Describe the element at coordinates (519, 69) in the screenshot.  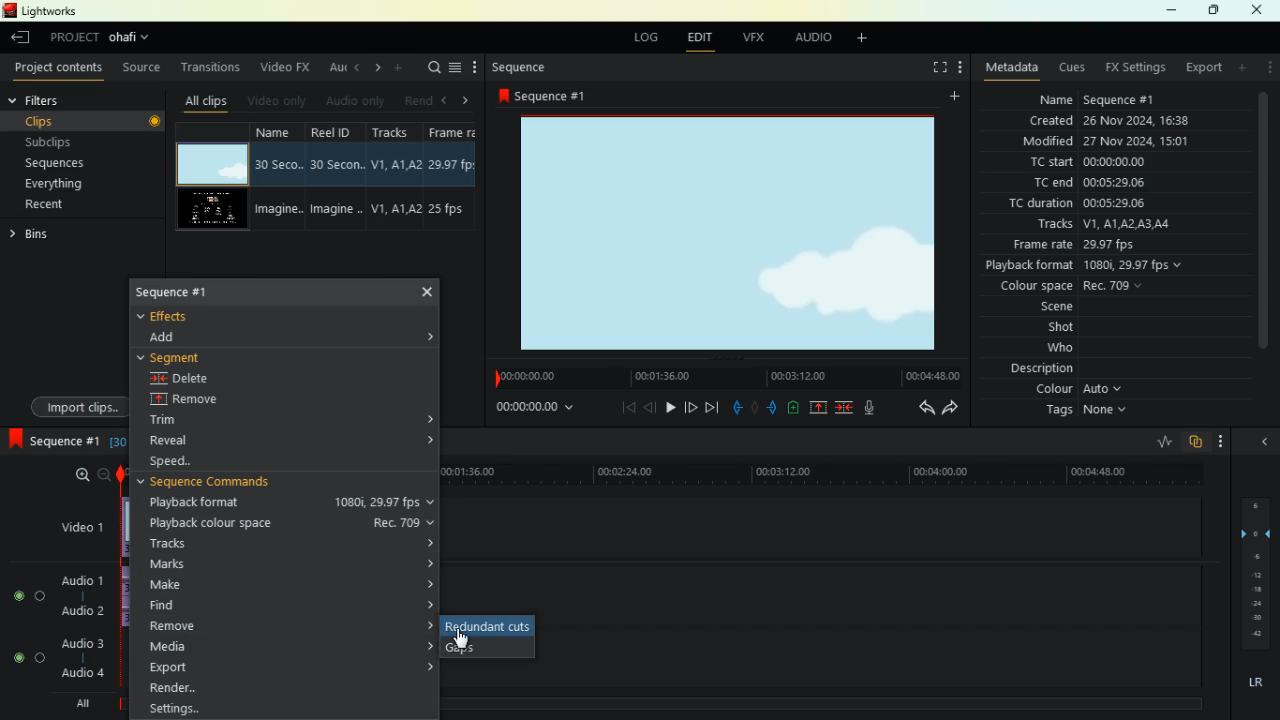
I see `sequence` at that location.